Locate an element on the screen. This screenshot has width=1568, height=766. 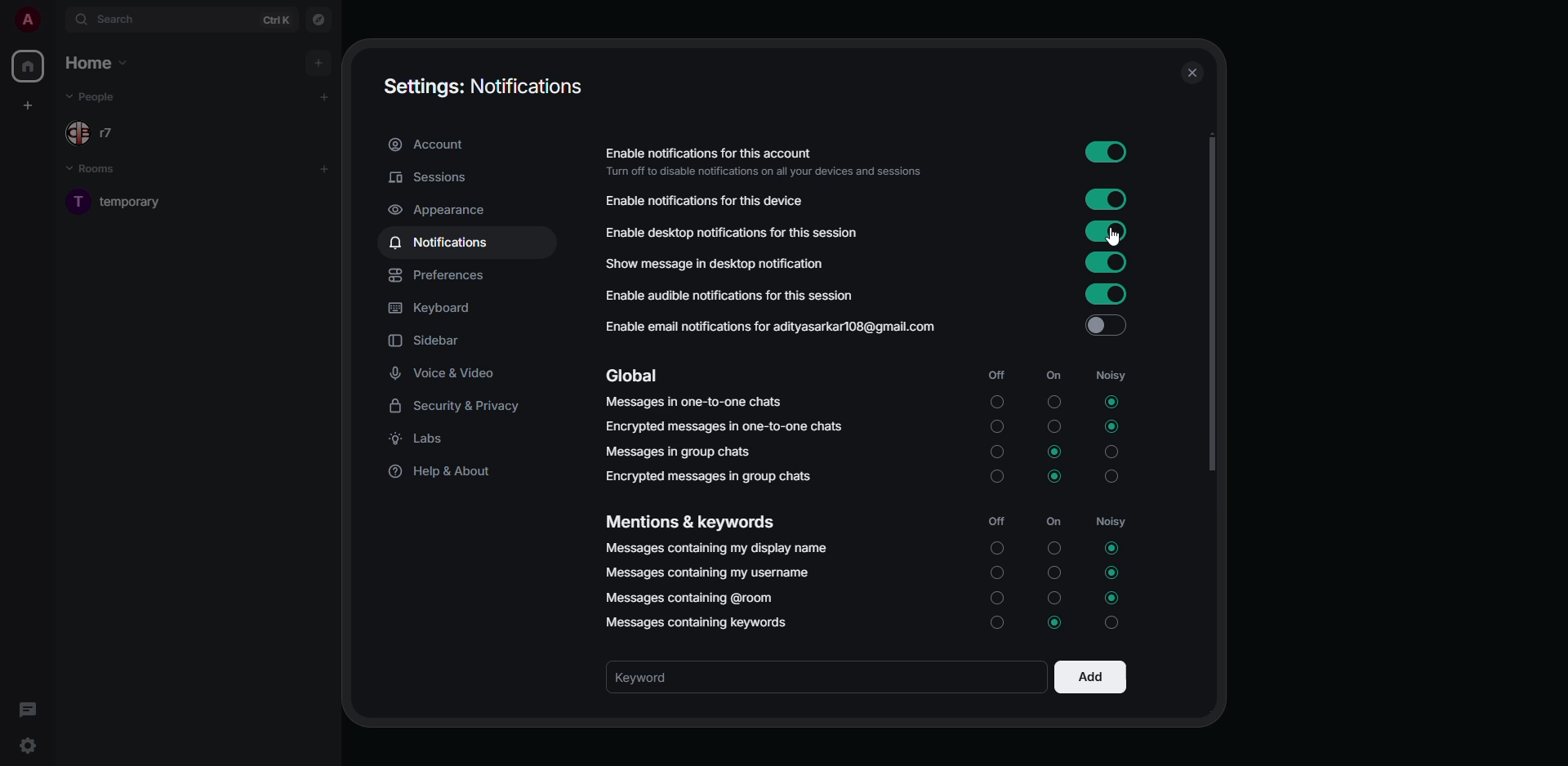
turn on is located at coordinates (996, 577).